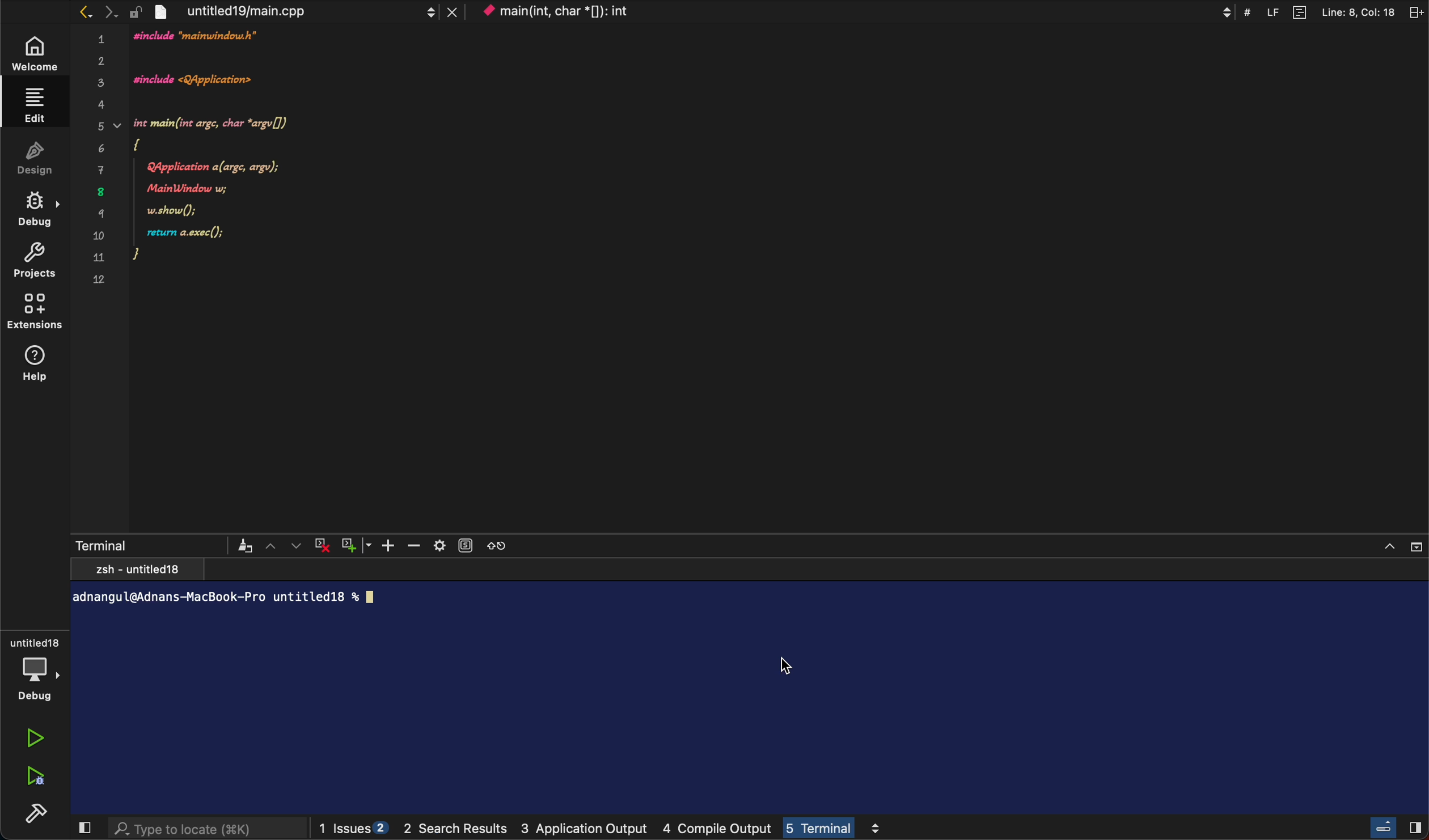 This screenshot has height=840, width=1429. Describe the element at coordinates (33, 814) in the screenshot. I see `build` at that location.